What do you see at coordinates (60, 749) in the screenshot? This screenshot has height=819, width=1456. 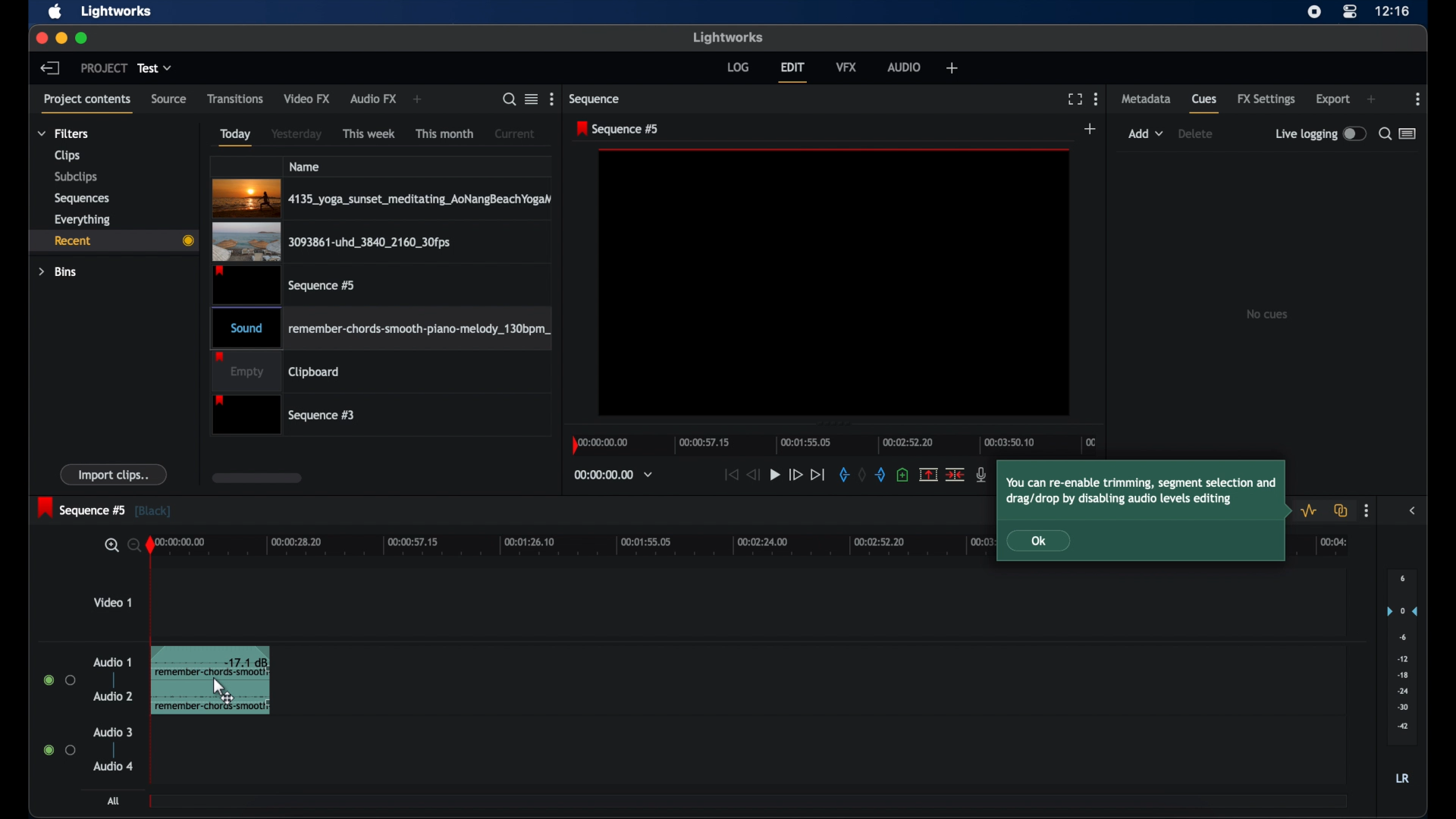 I see `radio buttons` at bounding box center [60, 749].